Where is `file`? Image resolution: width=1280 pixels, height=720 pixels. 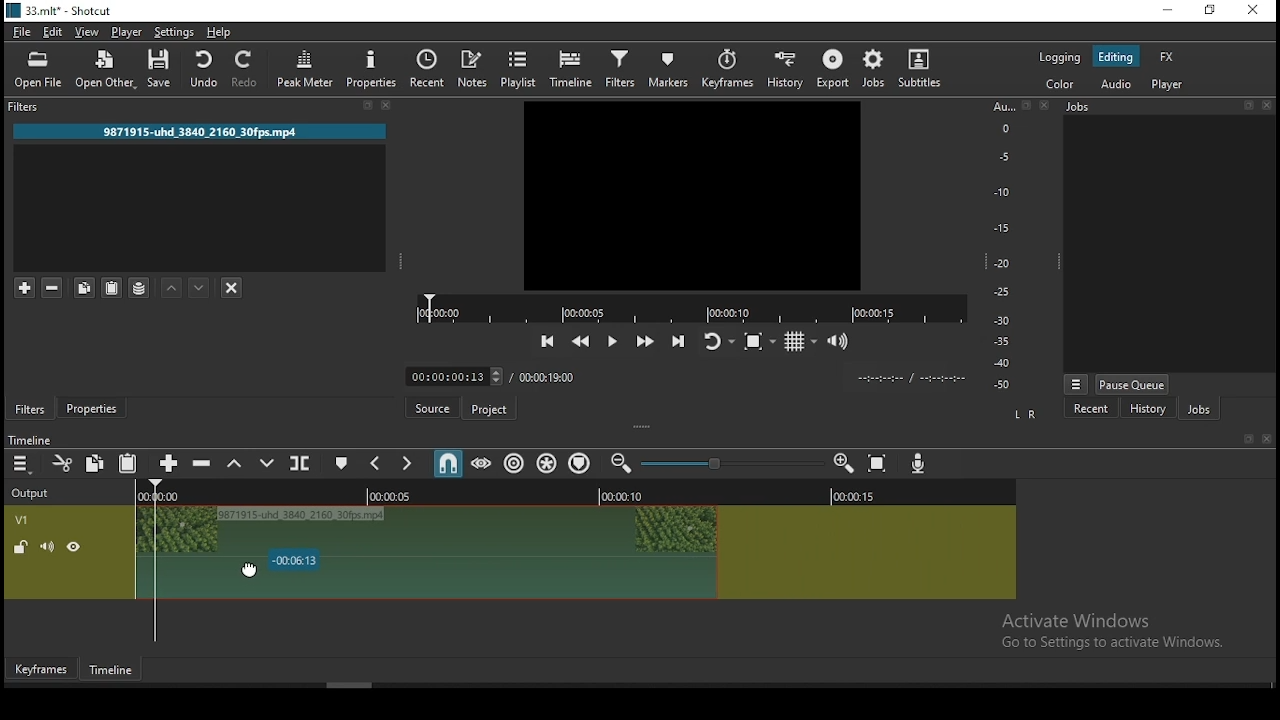
file is located at coordinates (22, 33).